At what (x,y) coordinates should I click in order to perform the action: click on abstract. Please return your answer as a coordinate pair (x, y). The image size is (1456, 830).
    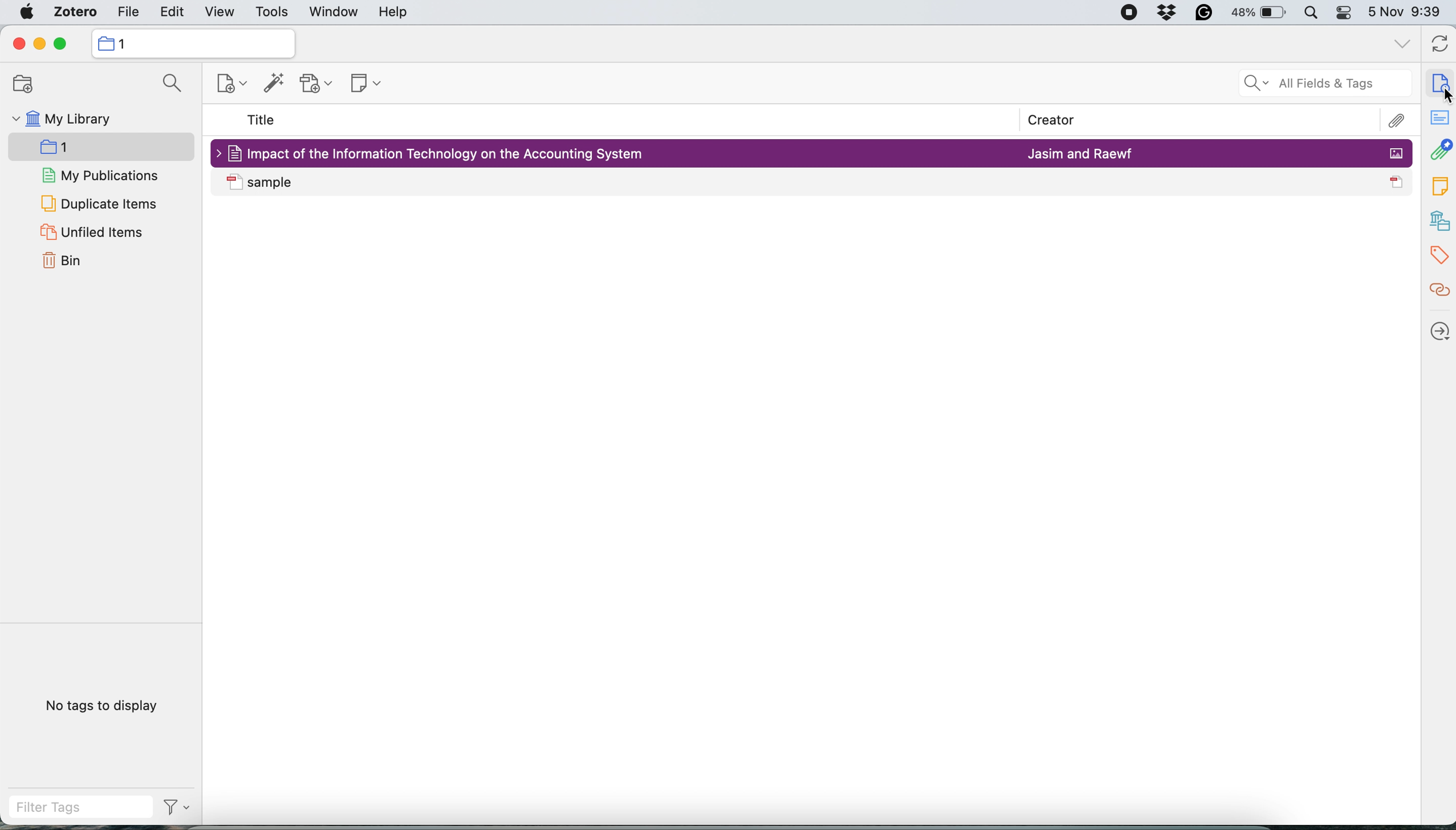
    Looking at the image, I should click on (1439, 115).